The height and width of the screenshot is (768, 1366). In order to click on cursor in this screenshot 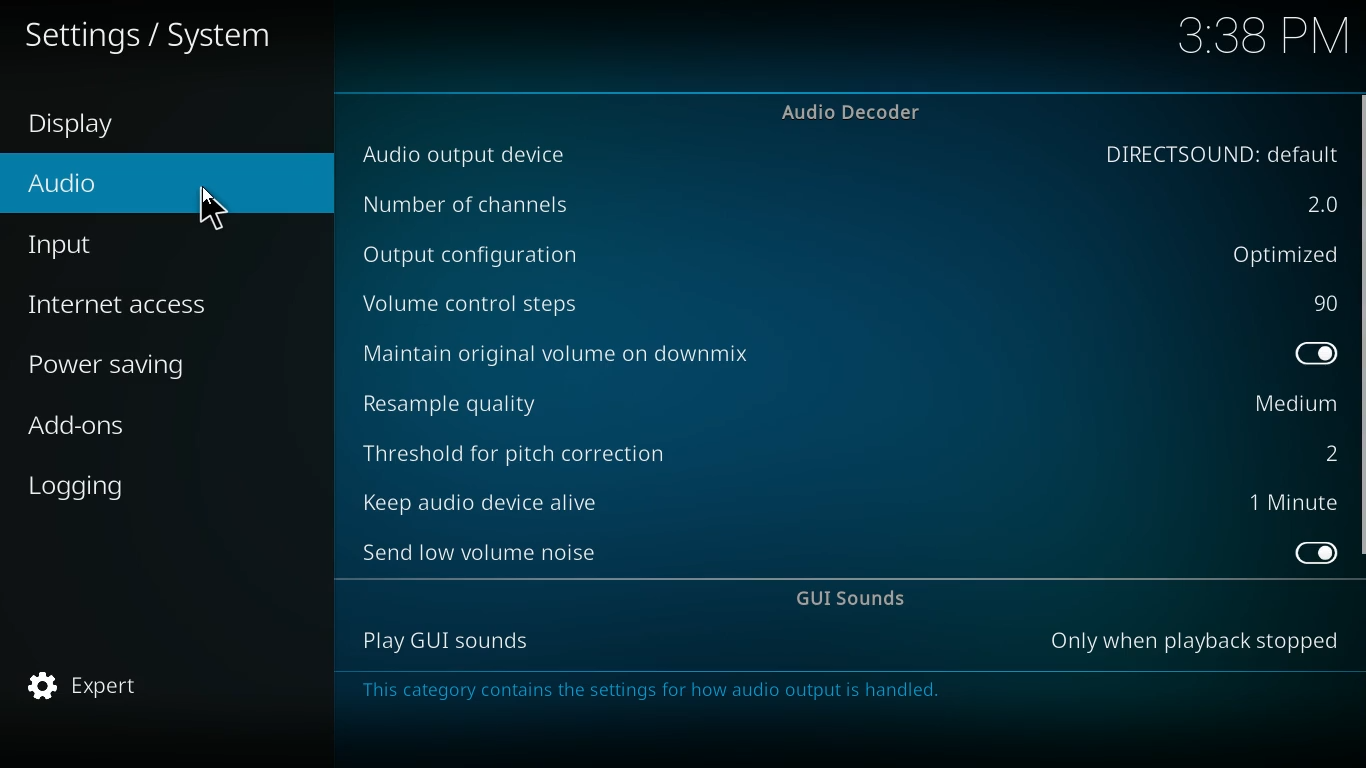, I will do `click(217, 207)`.